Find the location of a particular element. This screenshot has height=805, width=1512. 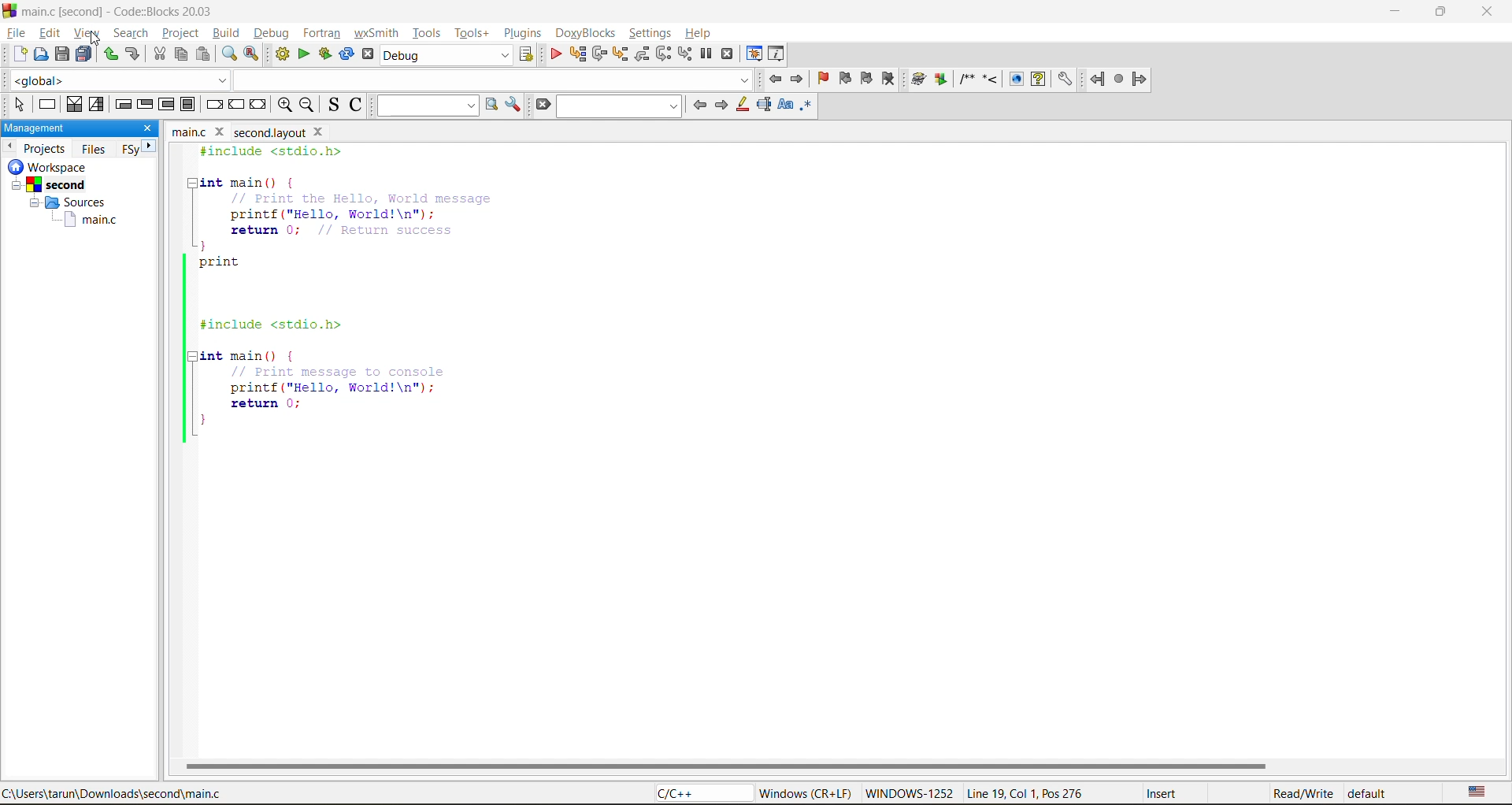

run is located at coordinates (305, 55).